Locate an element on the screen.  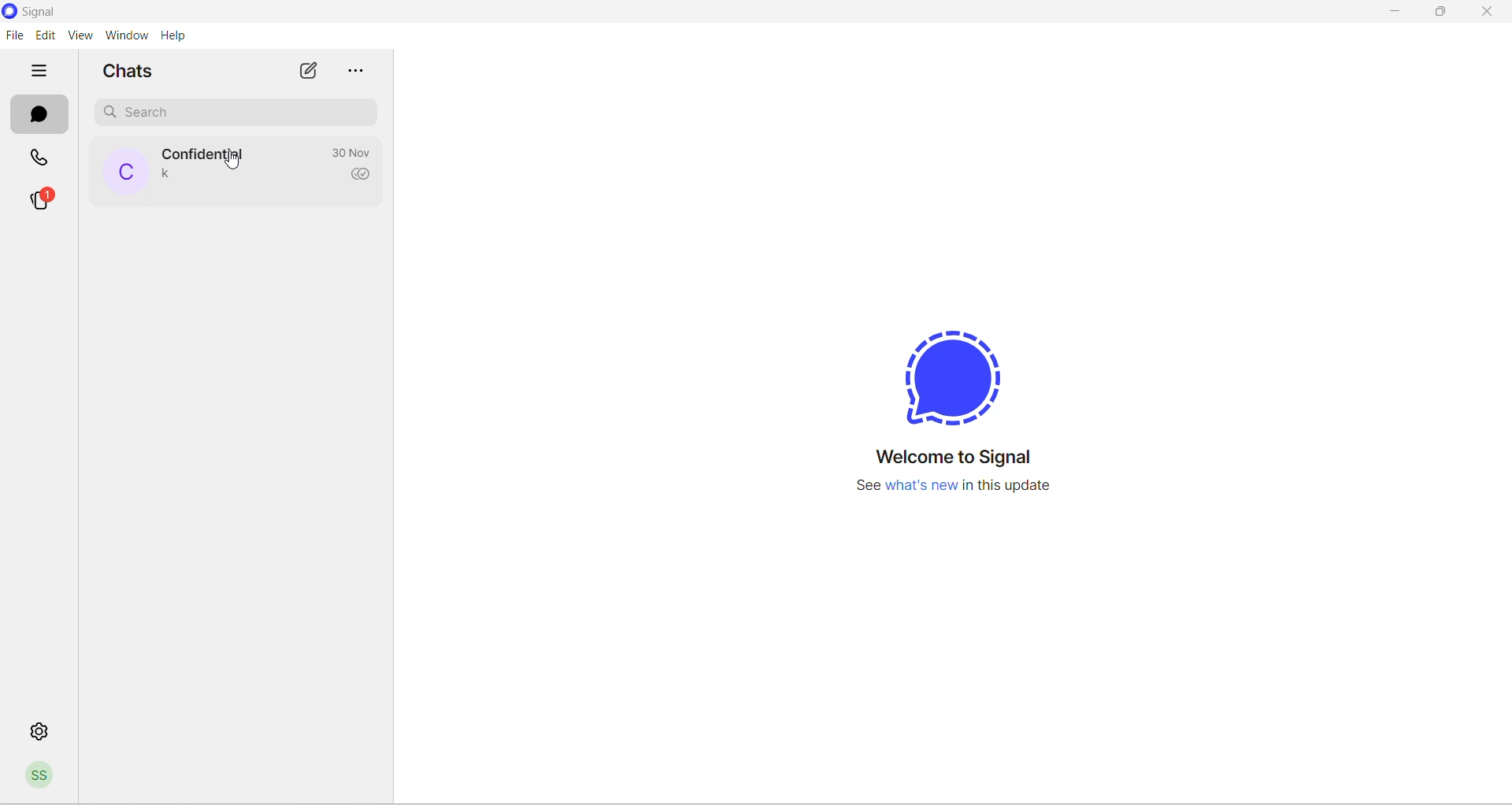
edit is located at coordinates (44, 34).